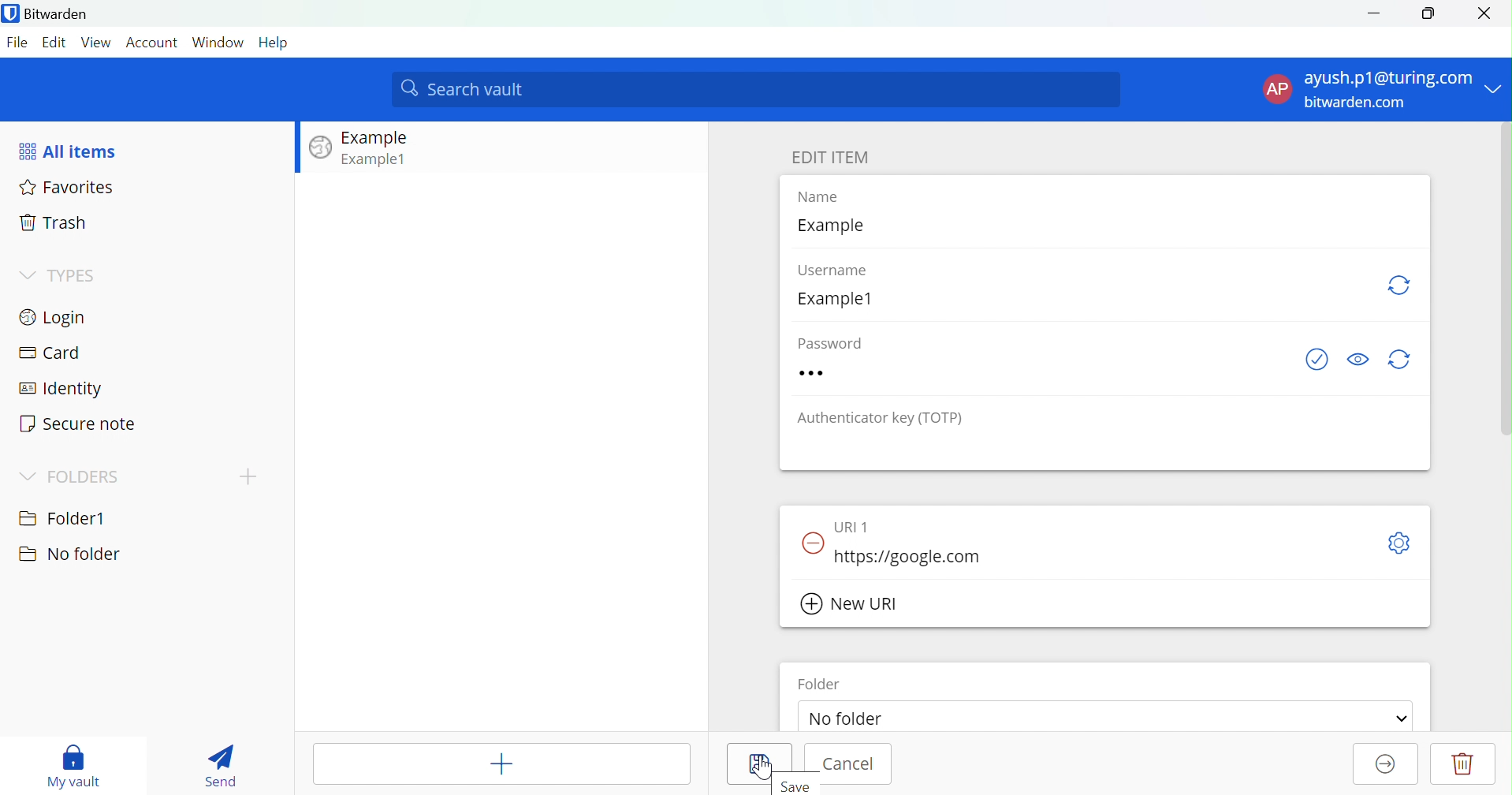 This screenshot has height=795, width=1512. I want to click on Login, so click(56, 316).